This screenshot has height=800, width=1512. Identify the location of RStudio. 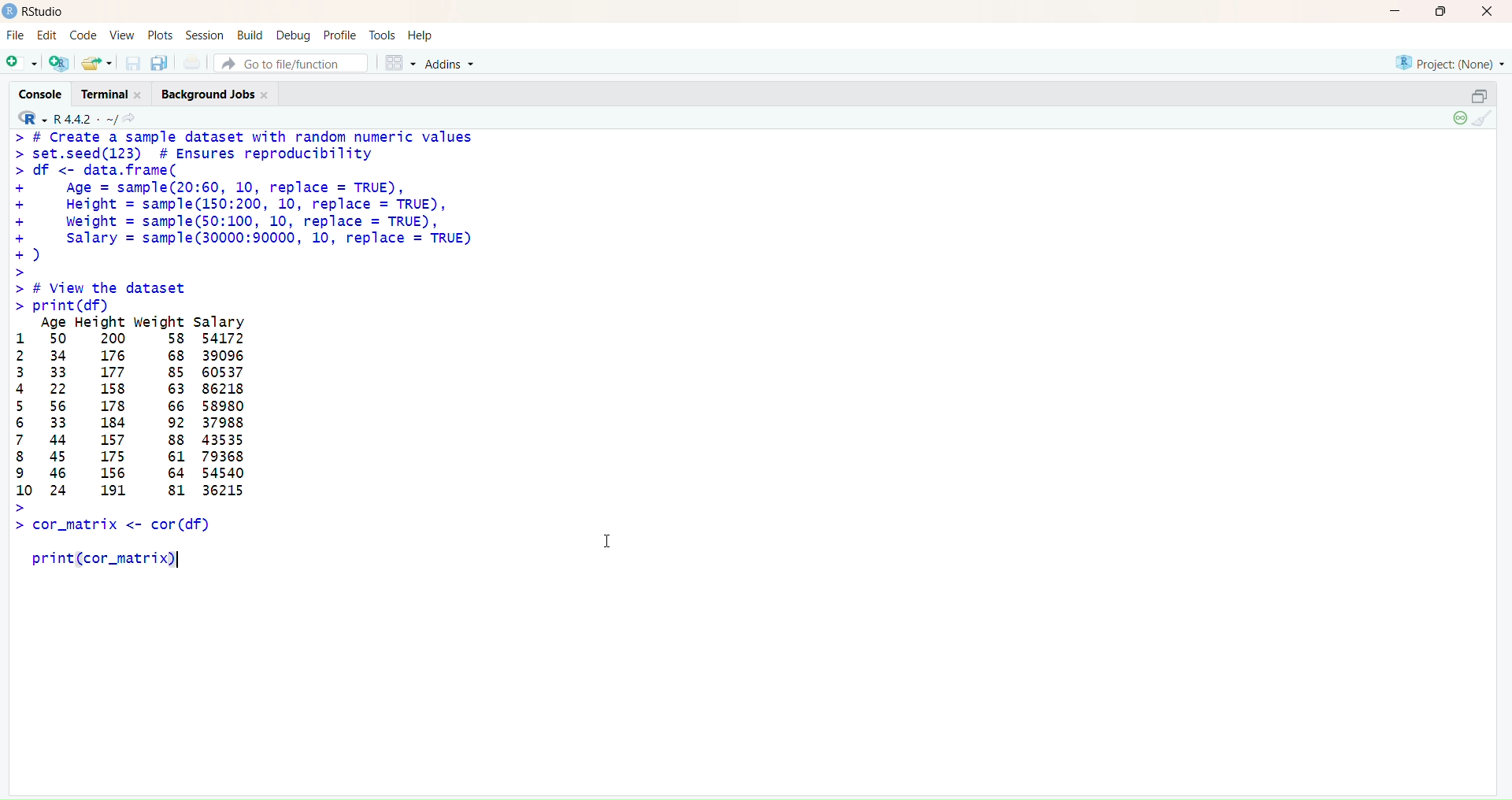
(36, 12).